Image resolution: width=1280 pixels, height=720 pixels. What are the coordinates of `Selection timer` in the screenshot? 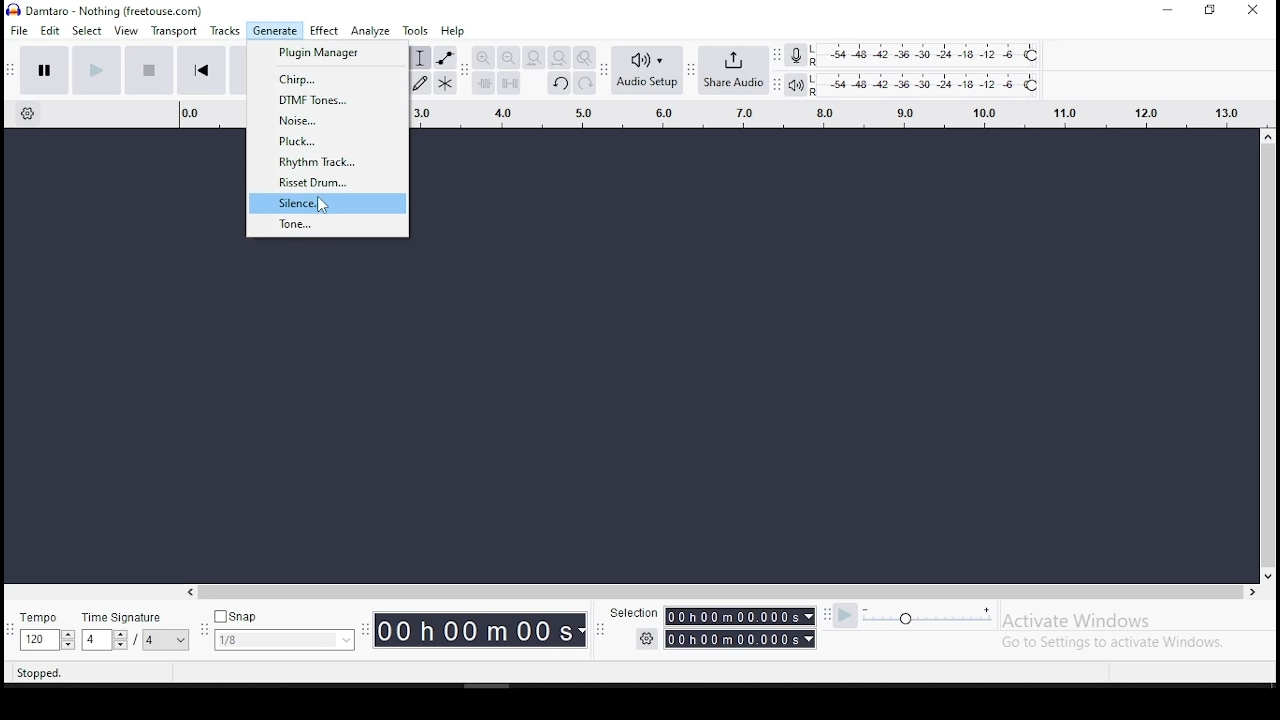 It's located at (713, 616).